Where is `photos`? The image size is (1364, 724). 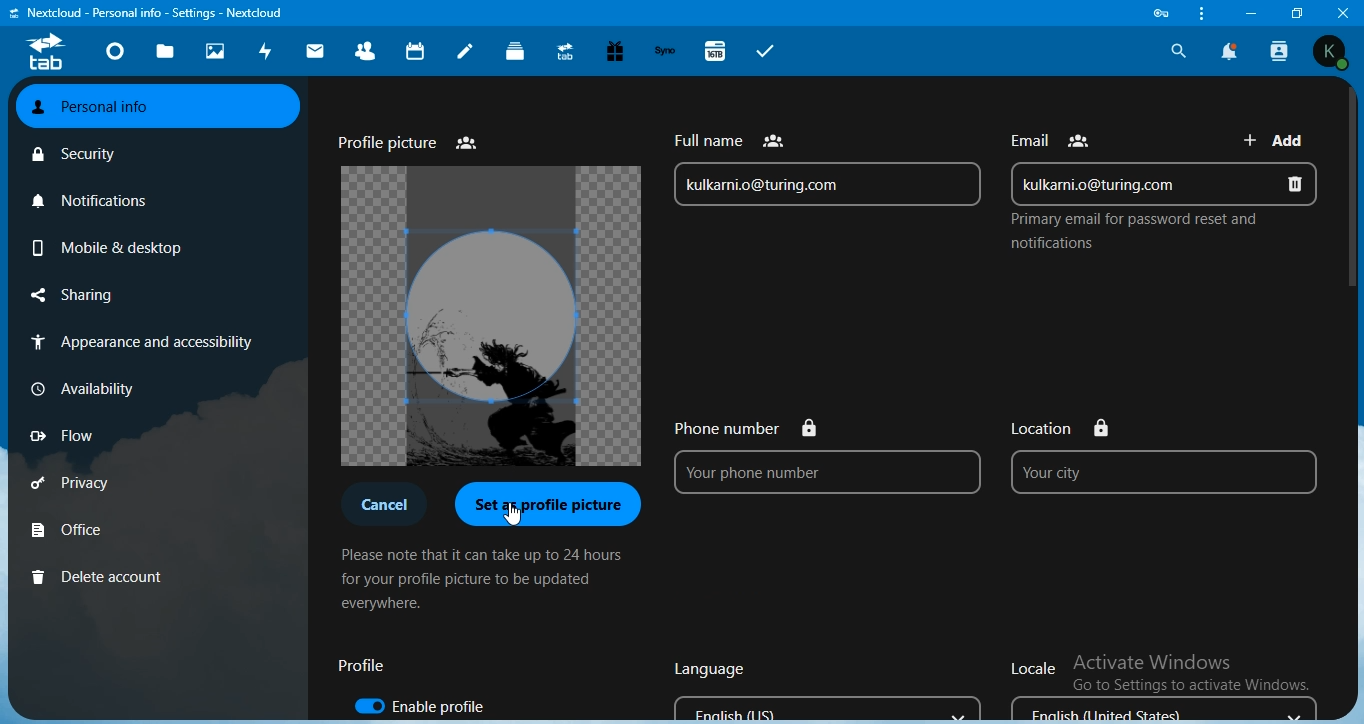
photos is located at coordinates (217, 52).